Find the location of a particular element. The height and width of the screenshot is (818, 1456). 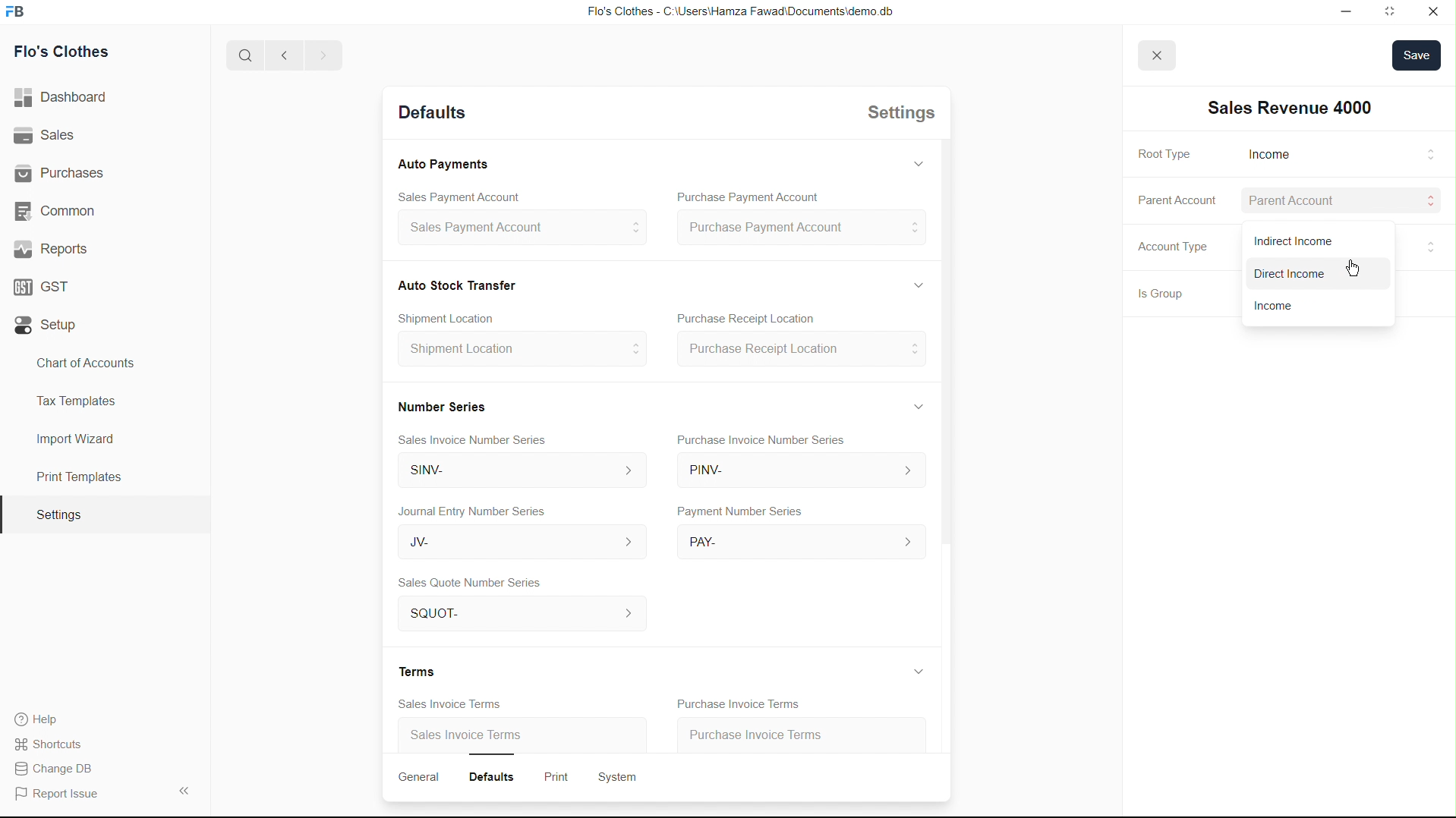

Purchase Receipt Location is located at coordinates (799, 351).